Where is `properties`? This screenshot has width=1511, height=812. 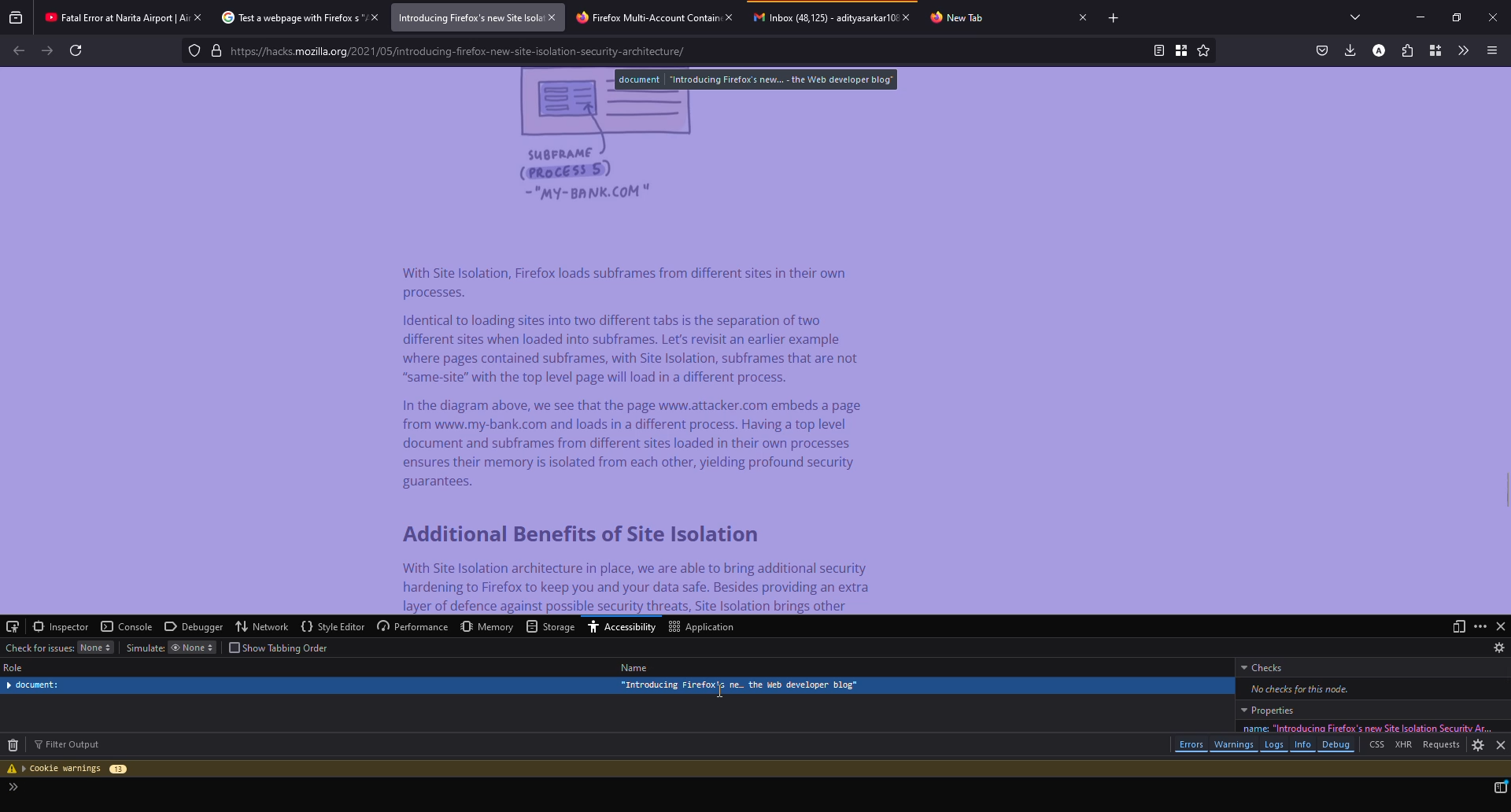
properties is located at coordinates (1266, 710).